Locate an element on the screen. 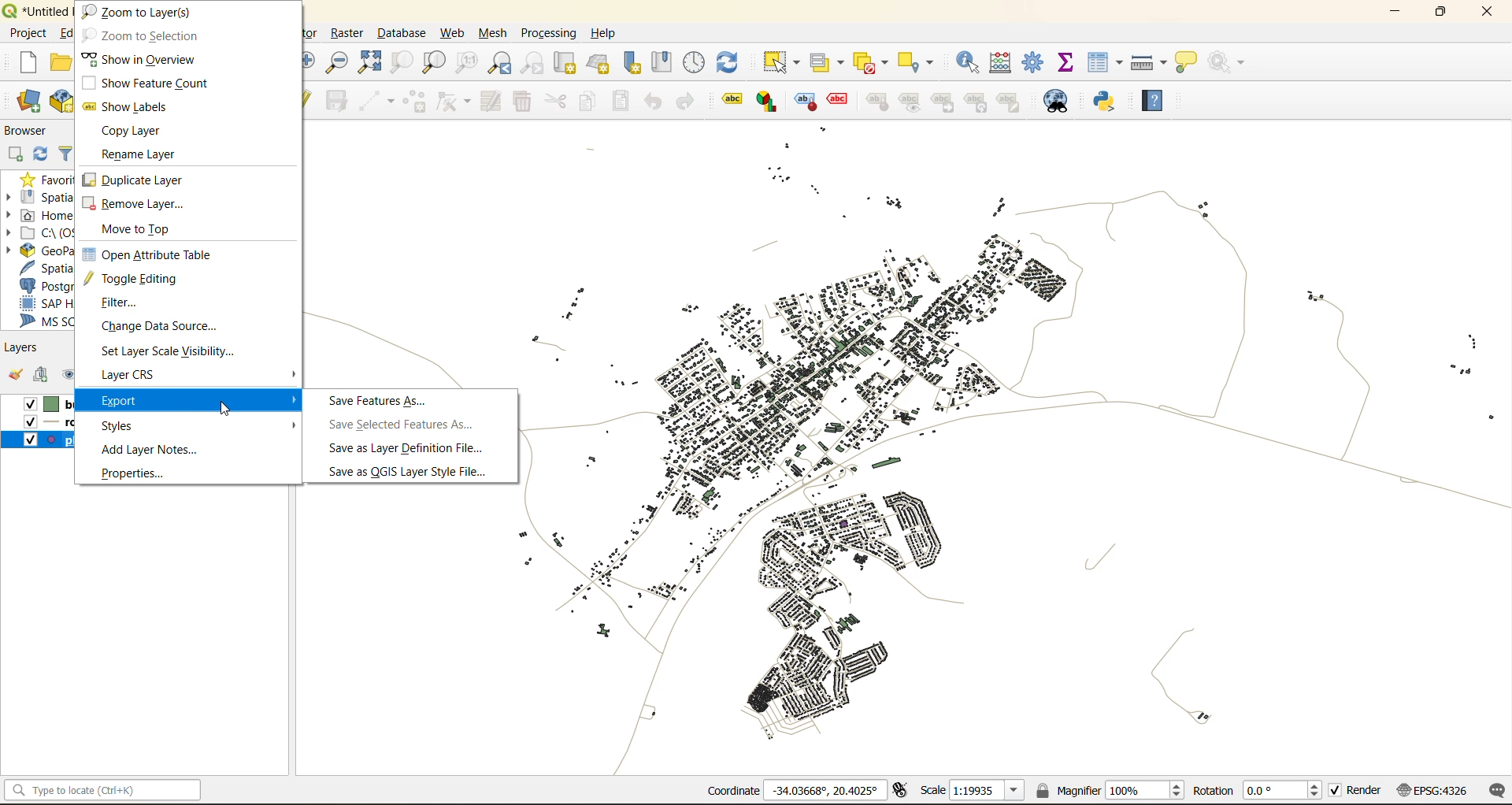 This screenshot has width=1512, height=805. move to top is located at coordinates (146, 230).